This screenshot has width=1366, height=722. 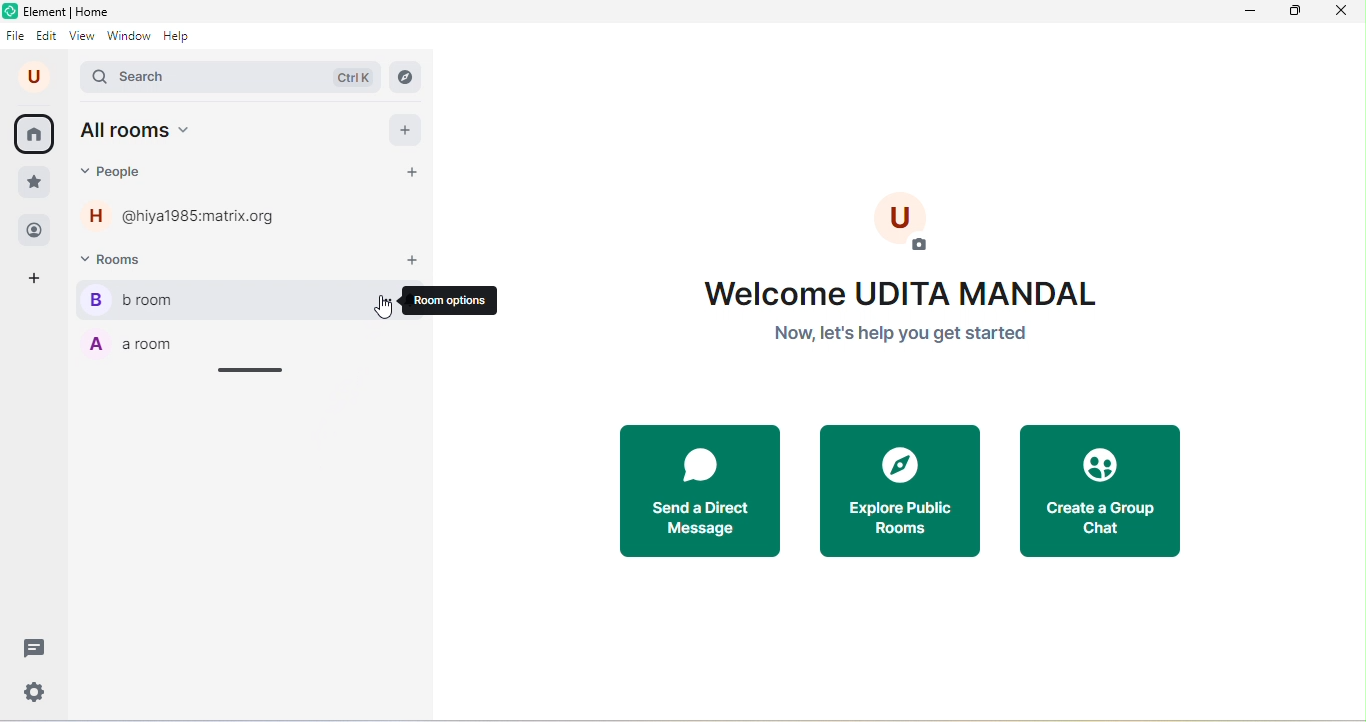 What do you see at coordinates (903, 291) in the screenshot?
I see `Welcome UDITA MANDAL` at bounding box center [903, 291].